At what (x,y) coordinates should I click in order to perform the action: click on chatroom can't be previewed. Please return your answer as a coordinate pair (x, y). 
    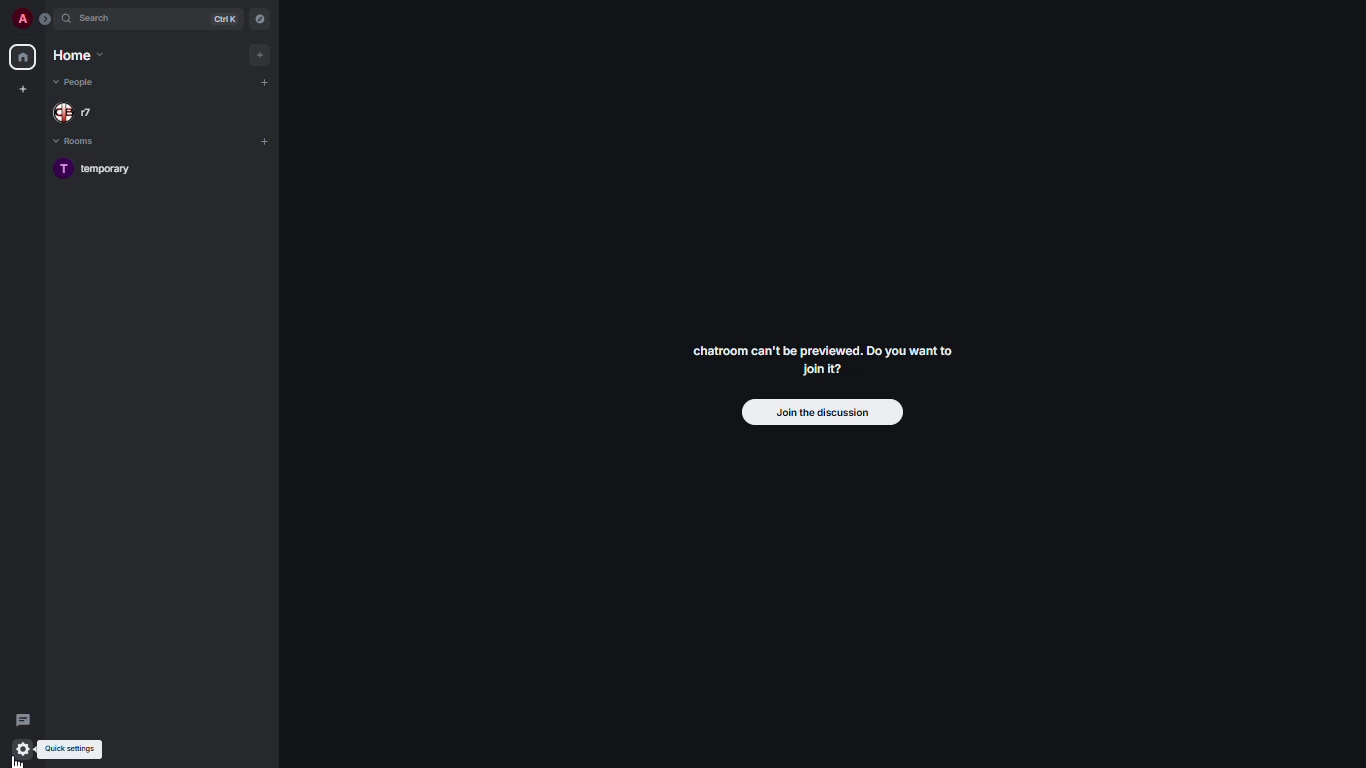
    Looking at the image, I should click on (827, 363).